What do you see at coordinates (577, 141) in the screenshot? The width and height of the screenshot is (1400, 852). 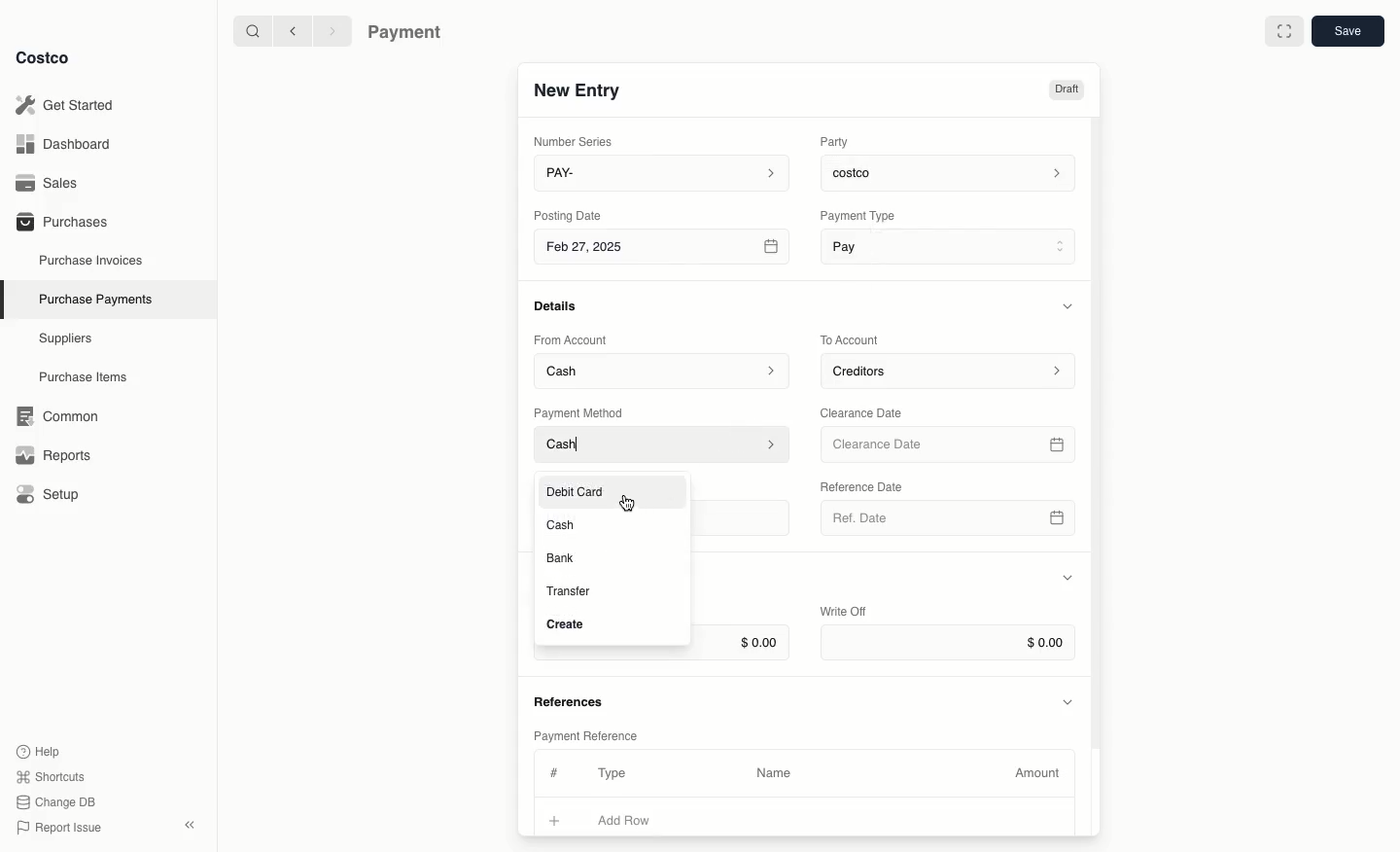 I see `Number Series` at bounding box center [577, 141].